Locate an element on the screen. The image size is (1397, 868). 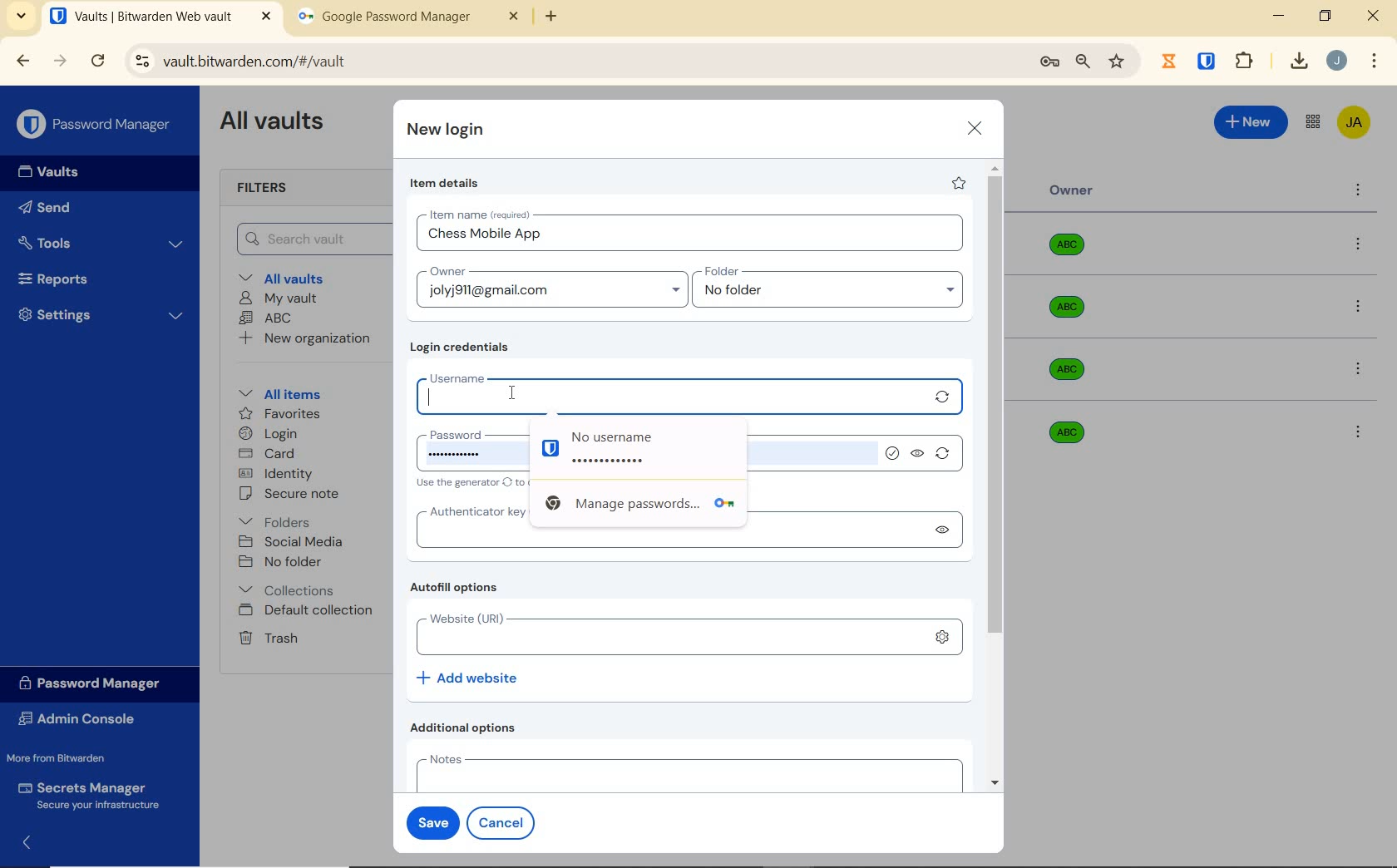
All Vaults is located at coordinates (276, 123).